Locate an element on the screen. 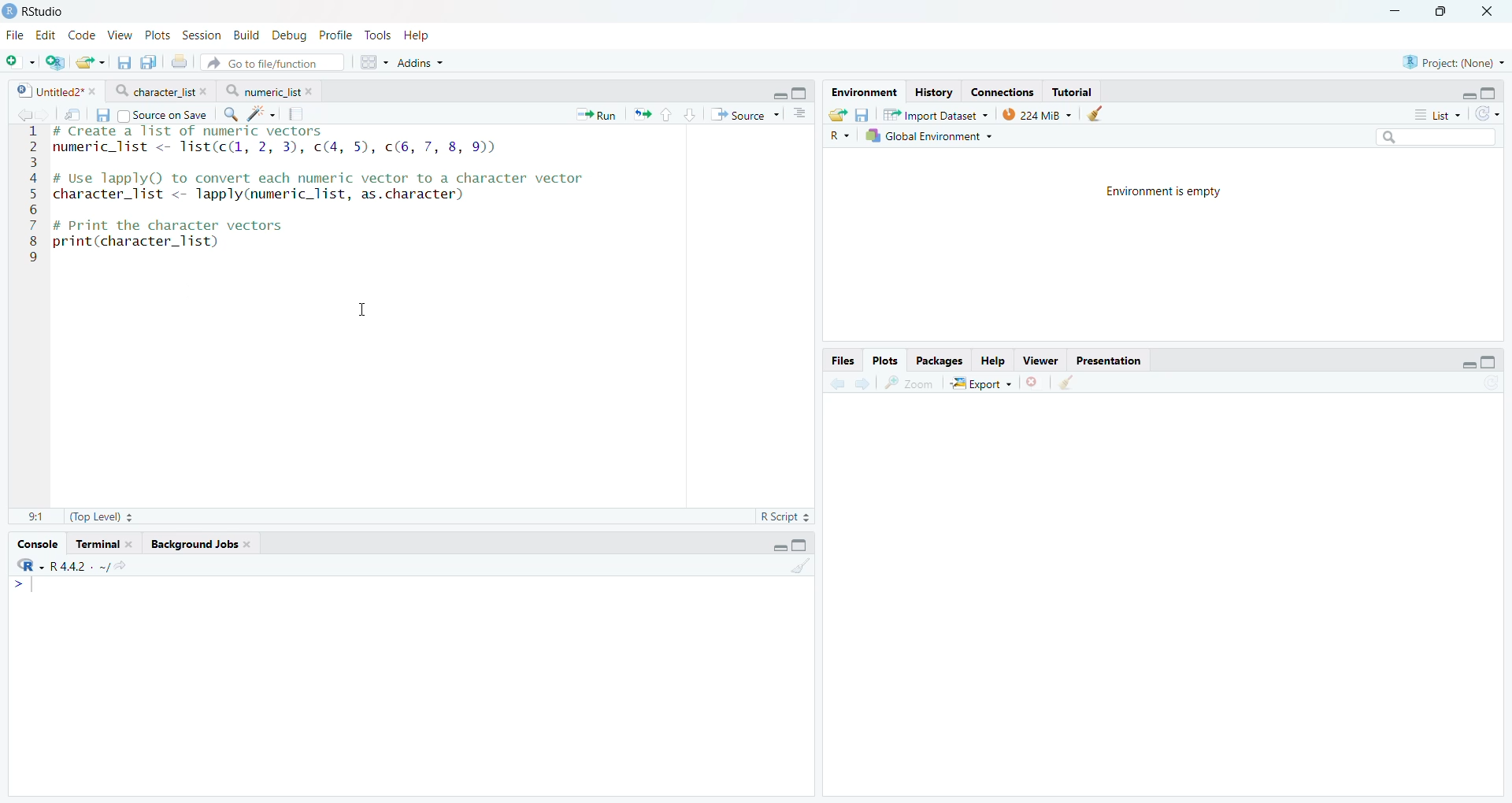 The image size is (1512, 803). Hide is located at coordinates (779, 95).